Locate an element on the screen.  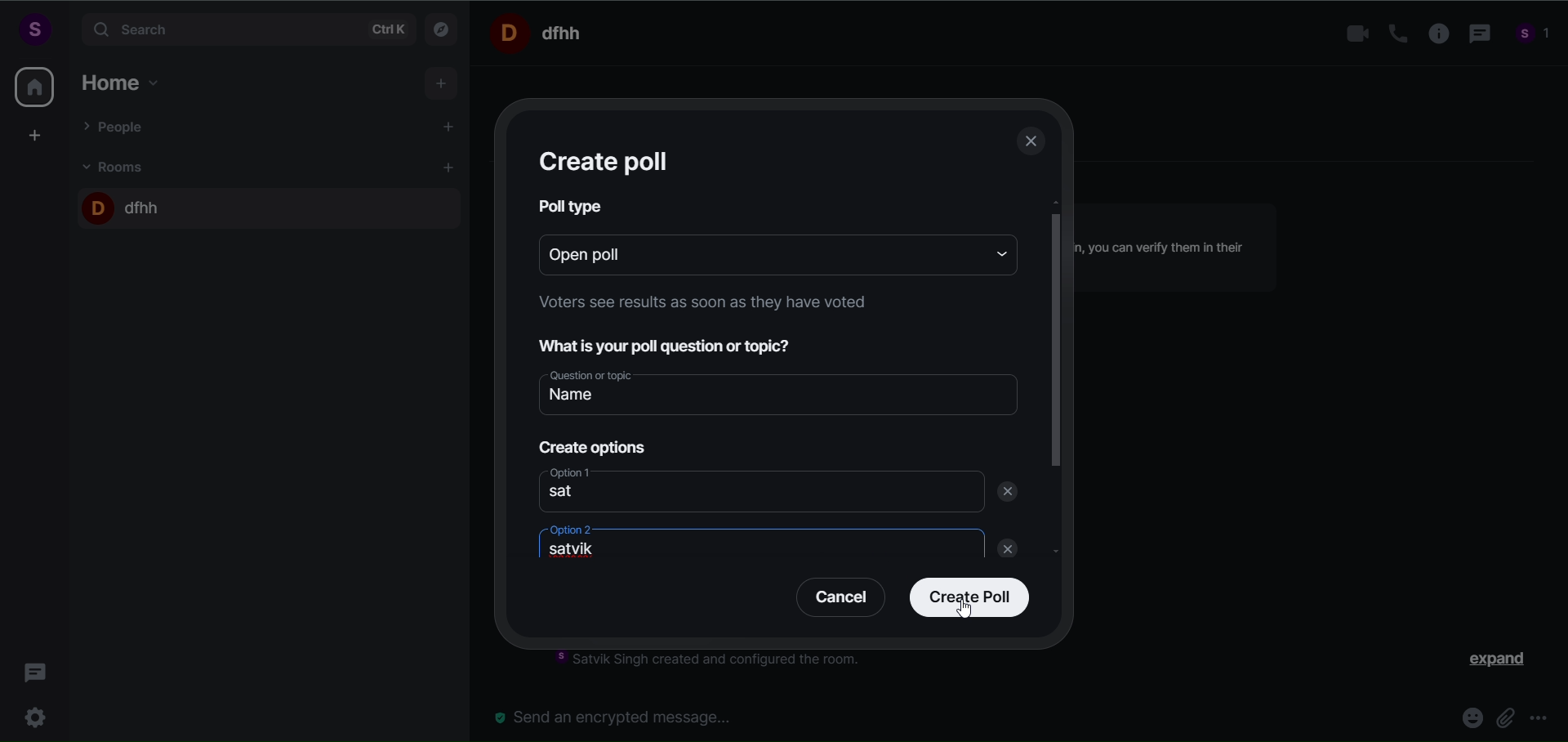
send an encrypted message is located at coordinates (621, 717).